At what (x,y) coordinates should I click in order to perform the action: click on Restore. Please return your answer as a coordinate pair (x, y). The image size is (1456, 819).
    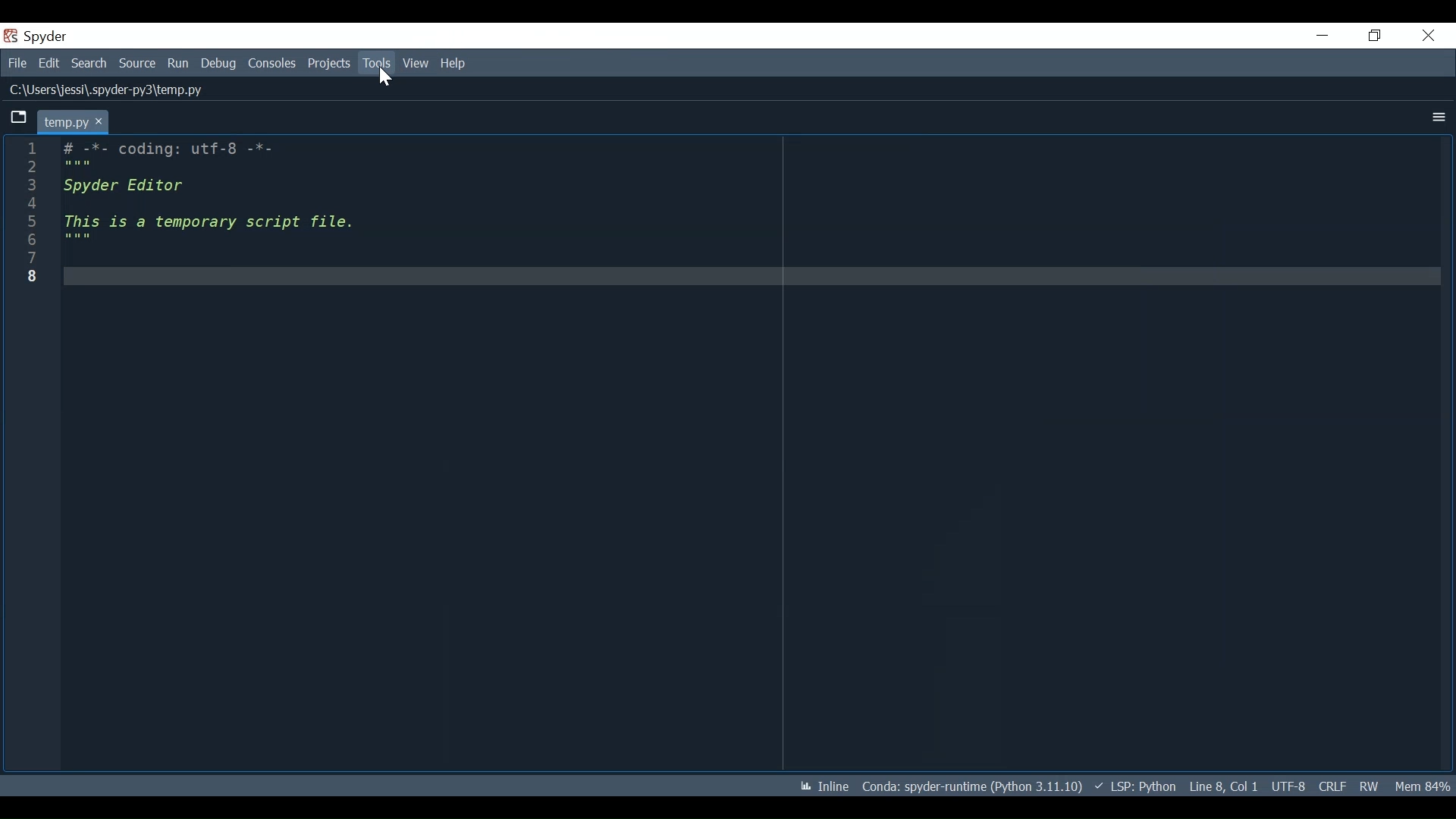
    Looking at the image, I should click on (1373, 36).